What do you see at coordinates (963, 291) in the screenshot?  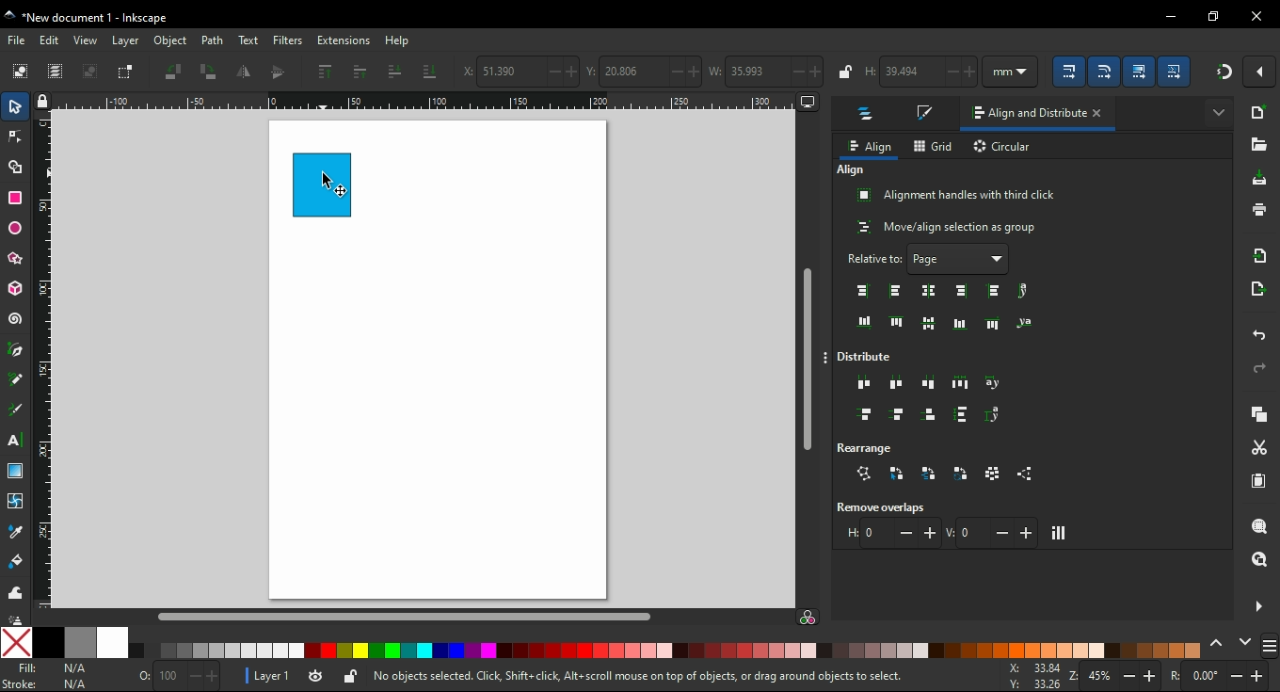 I see `align right edges` at bounding box center [963, 291].